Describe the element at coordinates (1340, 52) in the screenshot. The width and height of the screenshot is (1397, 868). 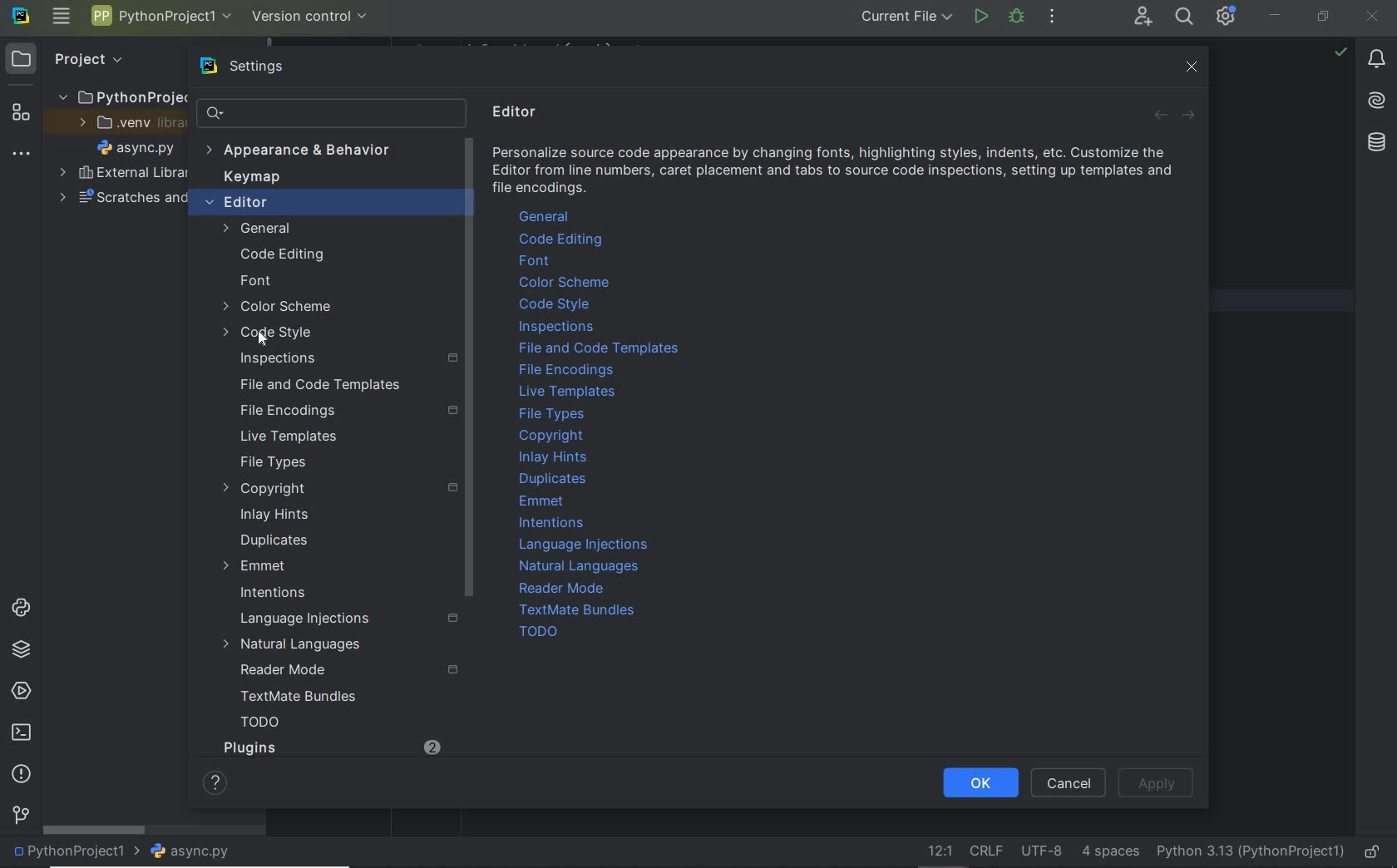
I see `no problem` at that location.